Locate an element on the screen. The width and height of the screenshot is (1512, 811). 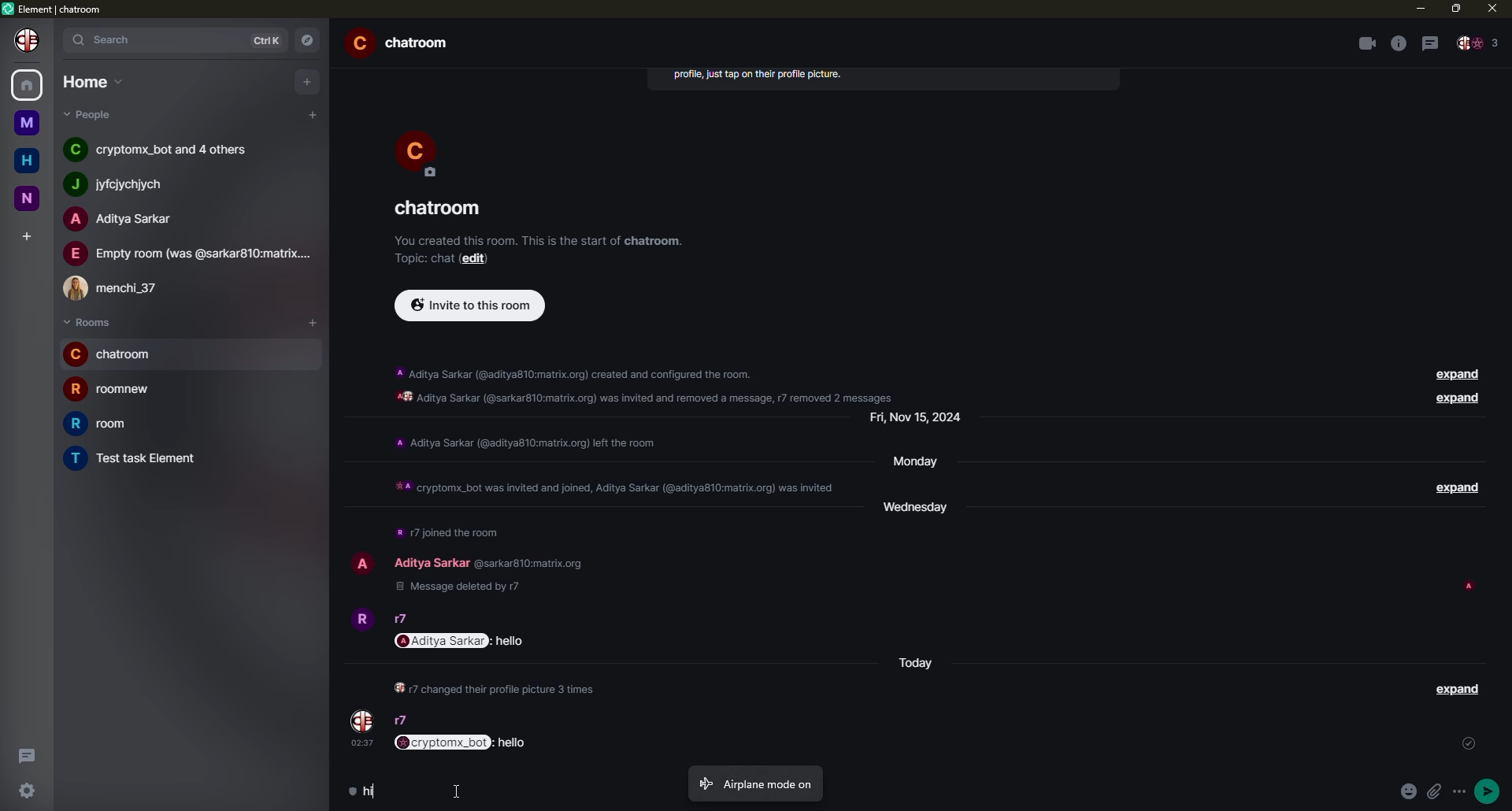
element is located at coordinates (55, 8).